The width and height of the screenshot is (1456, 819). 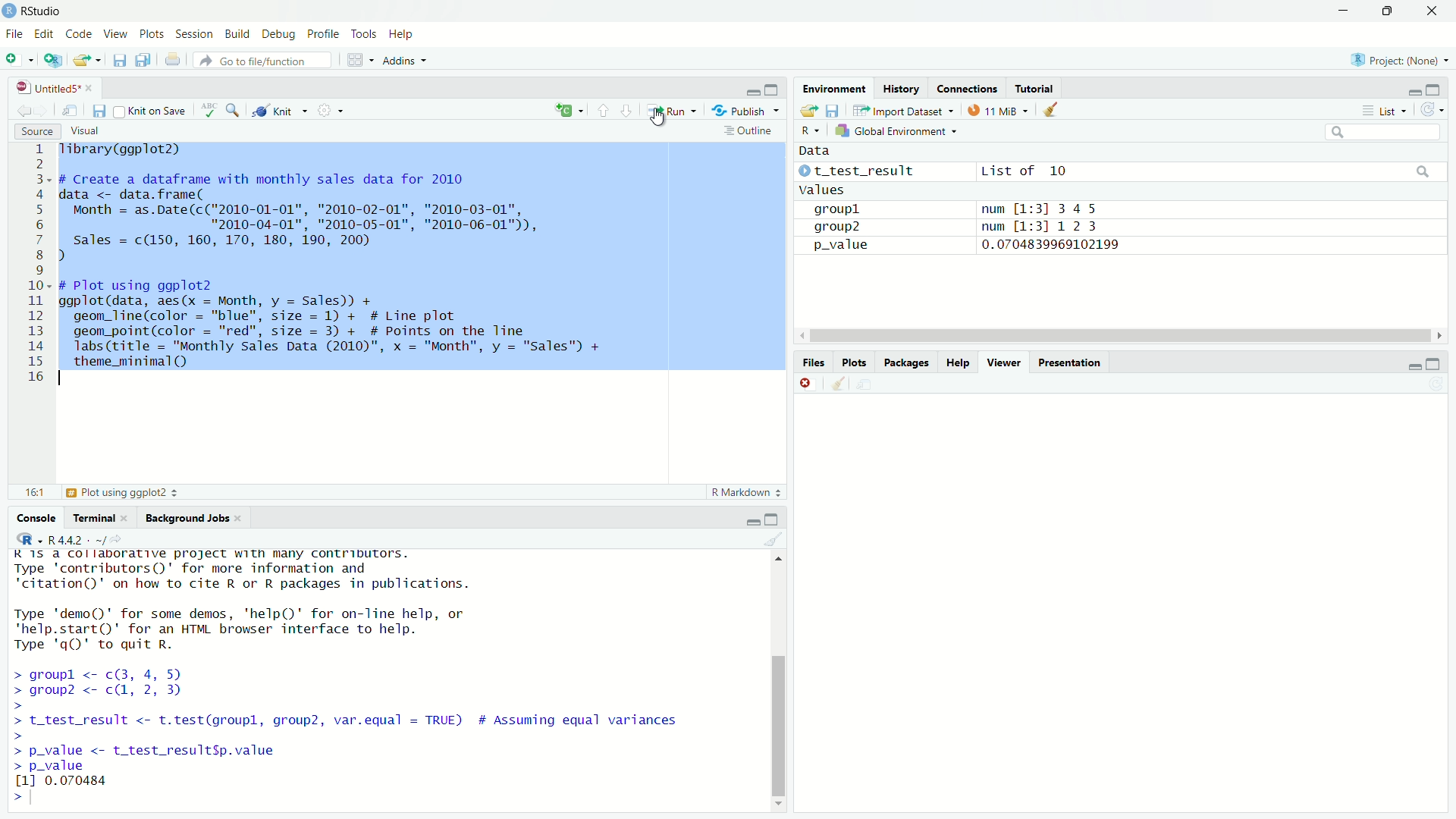 What do you see at coordinates (809, 362) in the screenshot?
I see `Files` at bounding box center [809, 362].